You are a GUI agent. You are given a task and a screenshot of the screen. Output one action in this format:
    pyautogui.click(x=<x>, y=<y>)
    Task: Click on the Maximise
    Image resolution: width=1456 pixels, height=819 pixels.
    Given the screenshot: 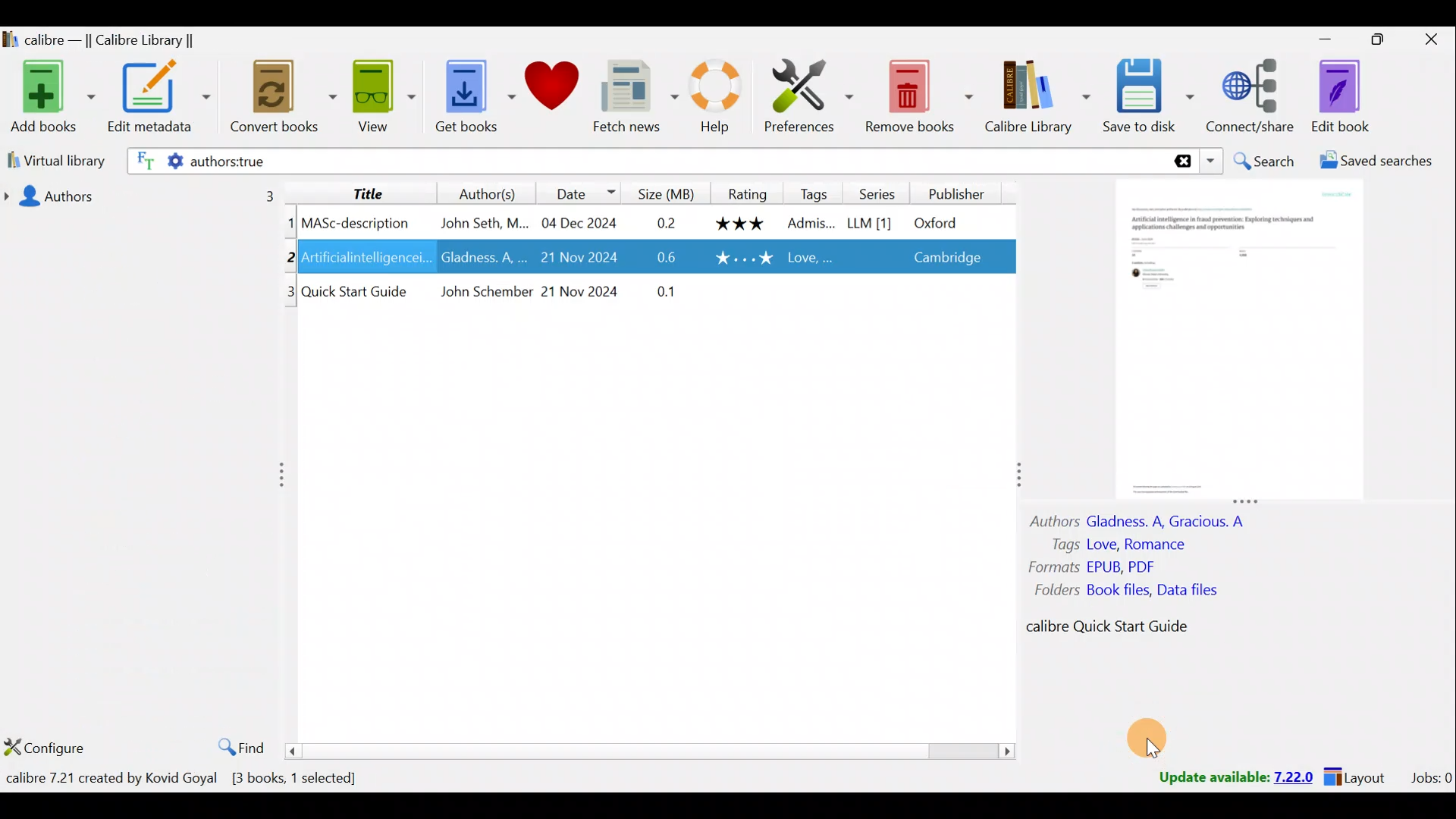 What is the action you would take?
    pyautogui.click(x=1372, y=43)
    